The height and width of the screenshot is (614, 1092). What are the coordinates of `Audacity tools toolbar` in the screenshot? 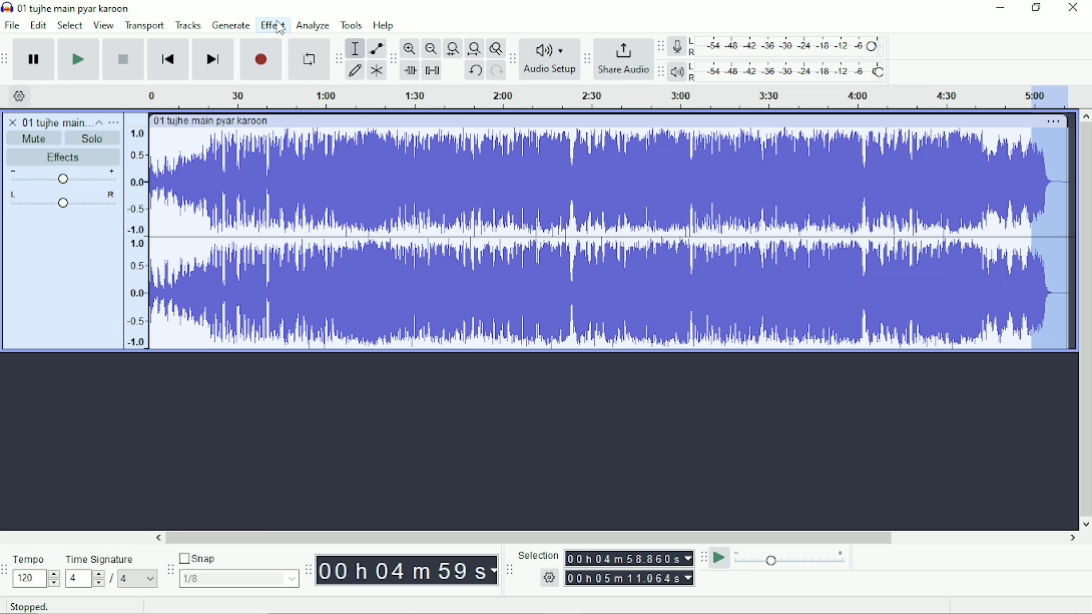 It's located at (338, 58).